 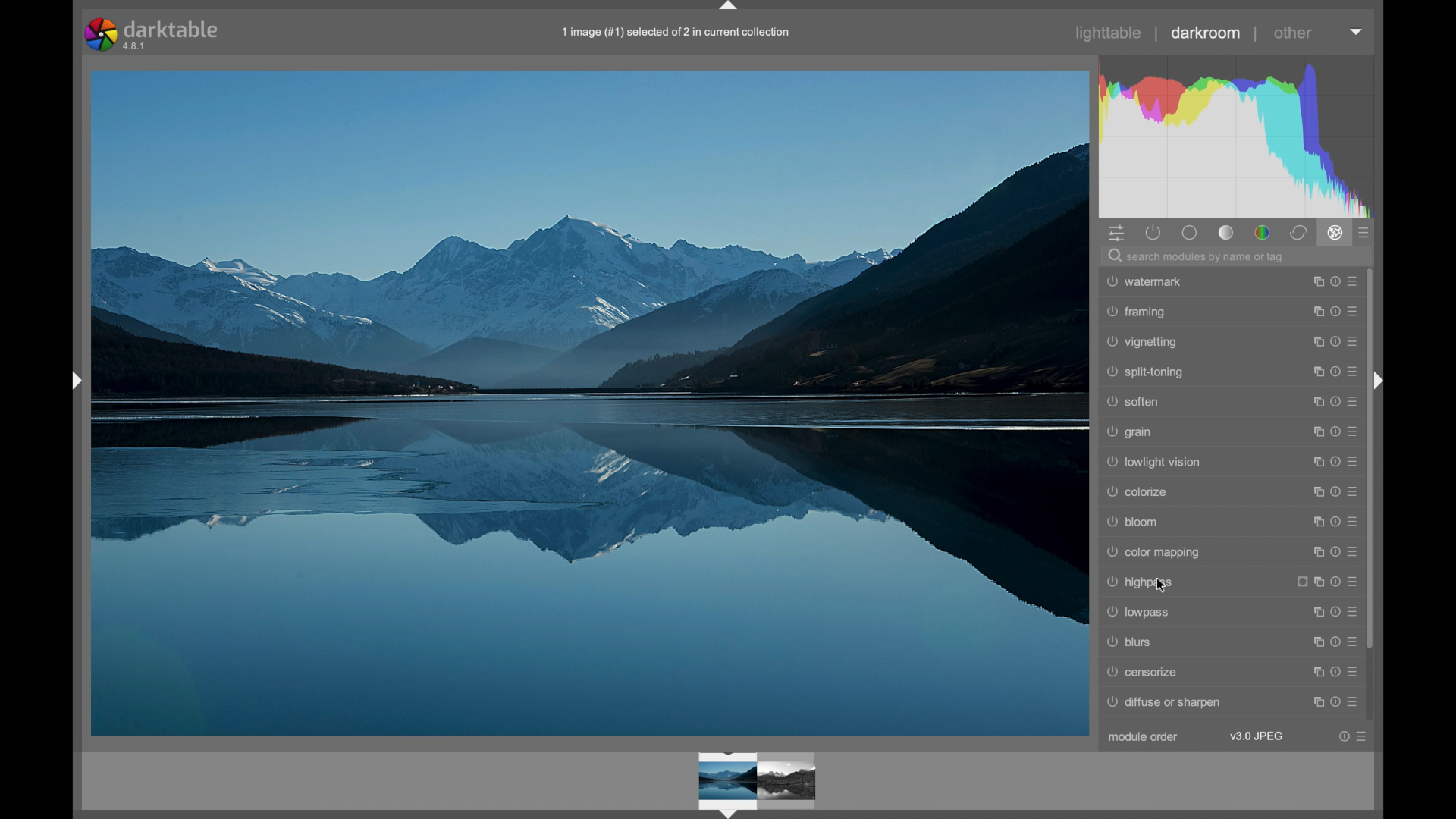 I want to click on base, so click(x=1191, y=234).